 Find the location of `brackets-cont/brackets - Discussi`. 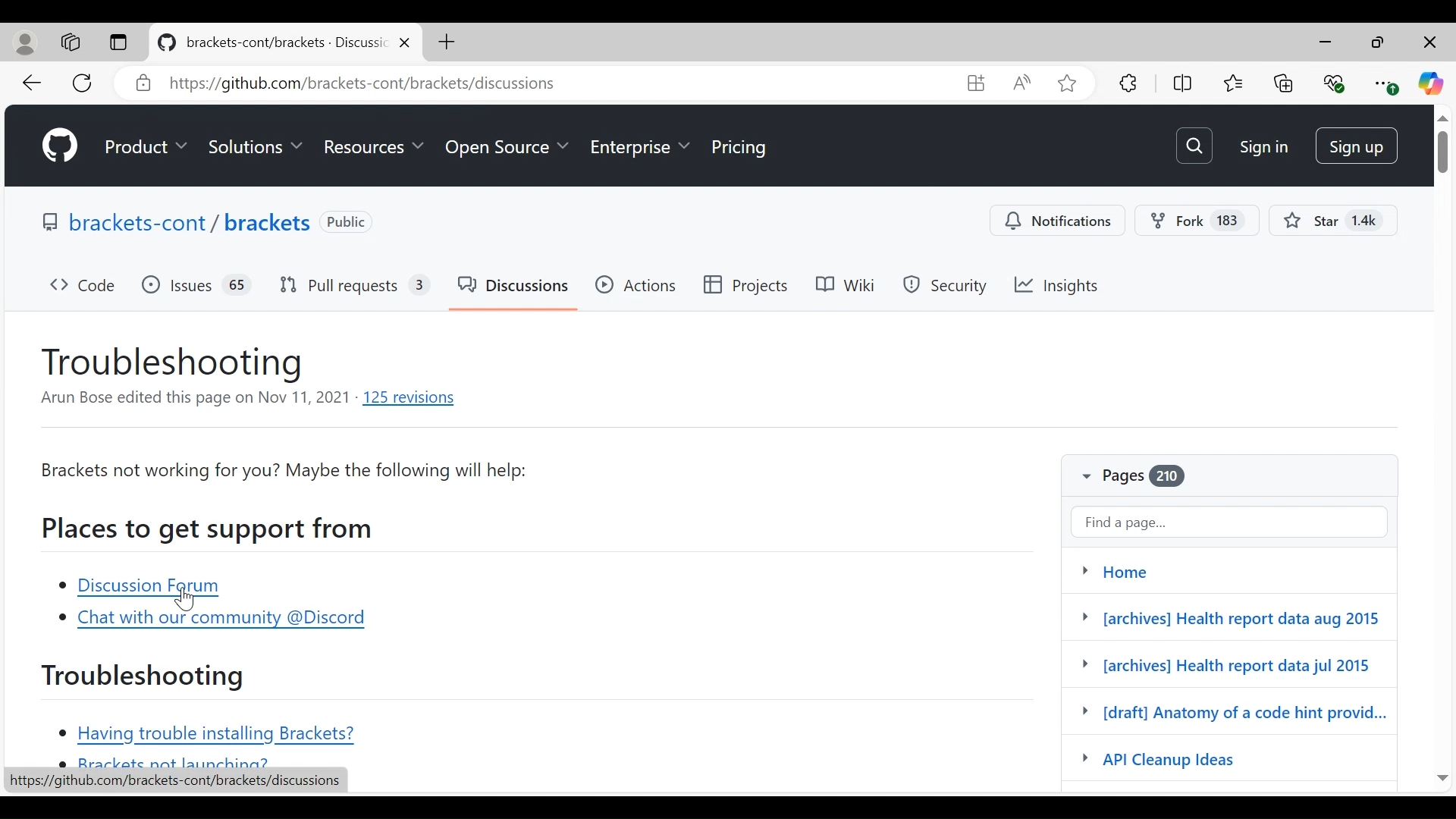

brackets-cont/brackets - Discussi is located at coordinates (281, 45).